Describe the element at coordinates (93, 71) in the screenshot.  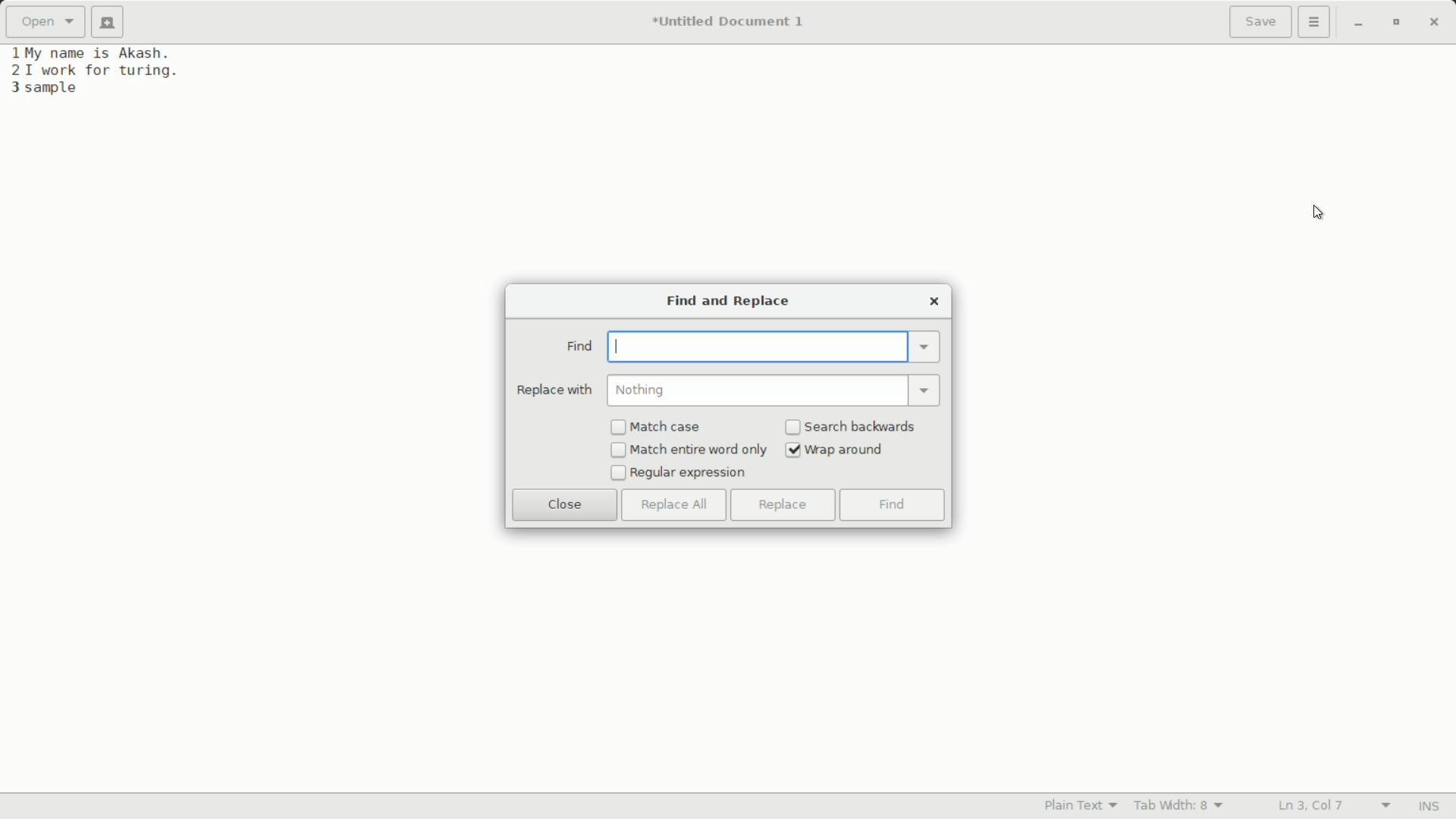
I see `21 work for turing.` at that location.